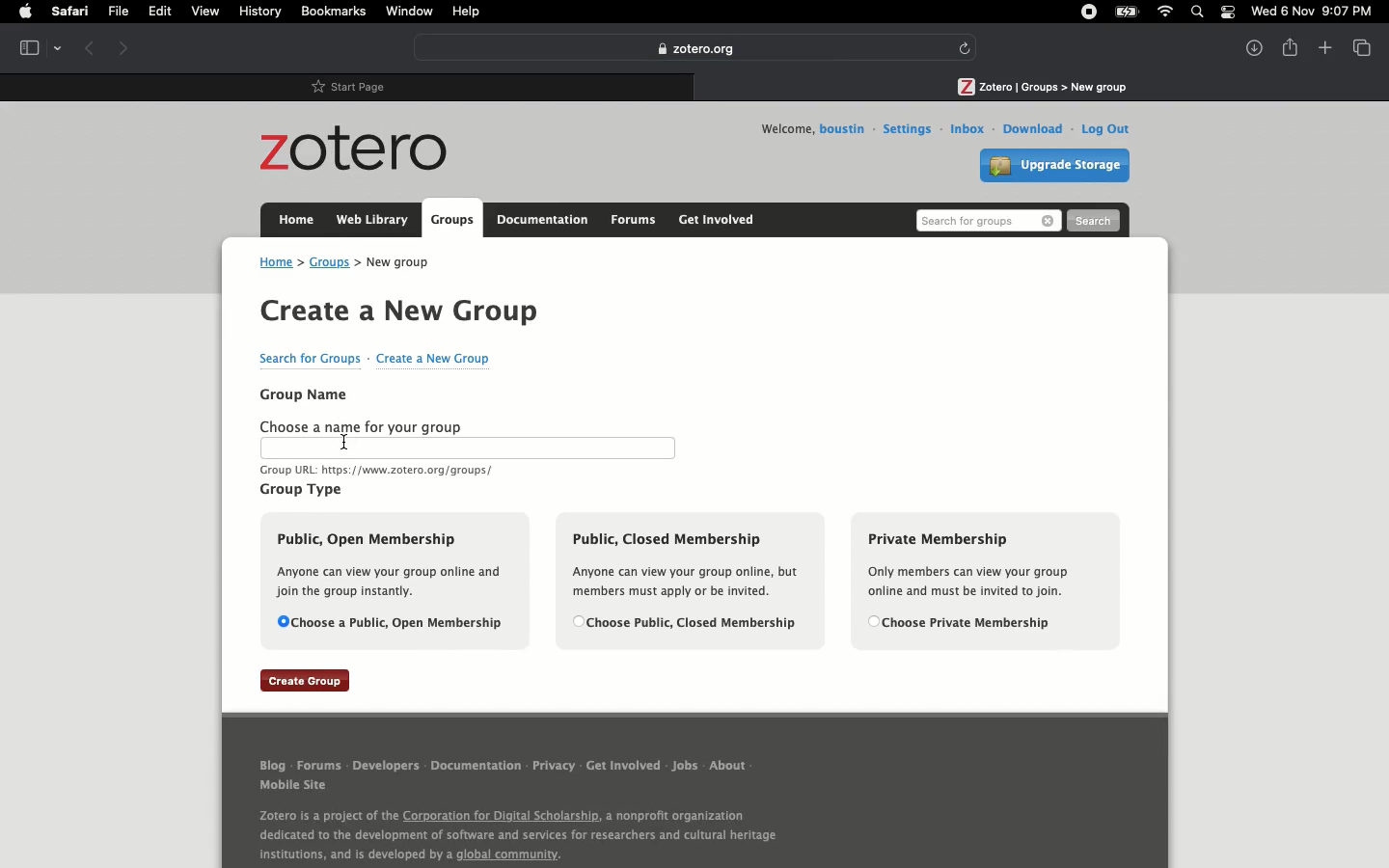  I want to click on Home, so click(276, 263).